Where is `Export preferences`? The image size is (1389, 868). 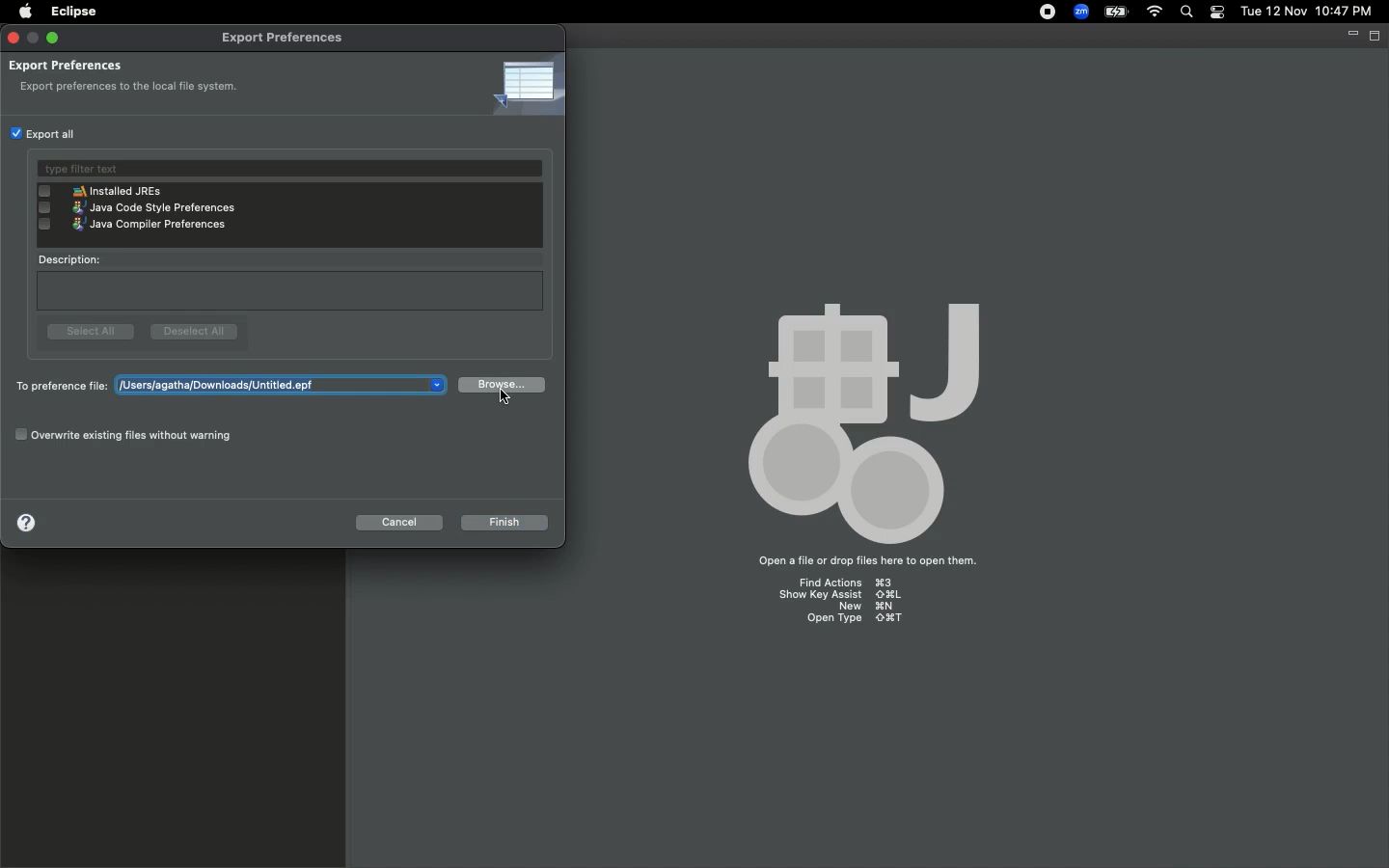 Export preferences is located at coordinates (287, 40).